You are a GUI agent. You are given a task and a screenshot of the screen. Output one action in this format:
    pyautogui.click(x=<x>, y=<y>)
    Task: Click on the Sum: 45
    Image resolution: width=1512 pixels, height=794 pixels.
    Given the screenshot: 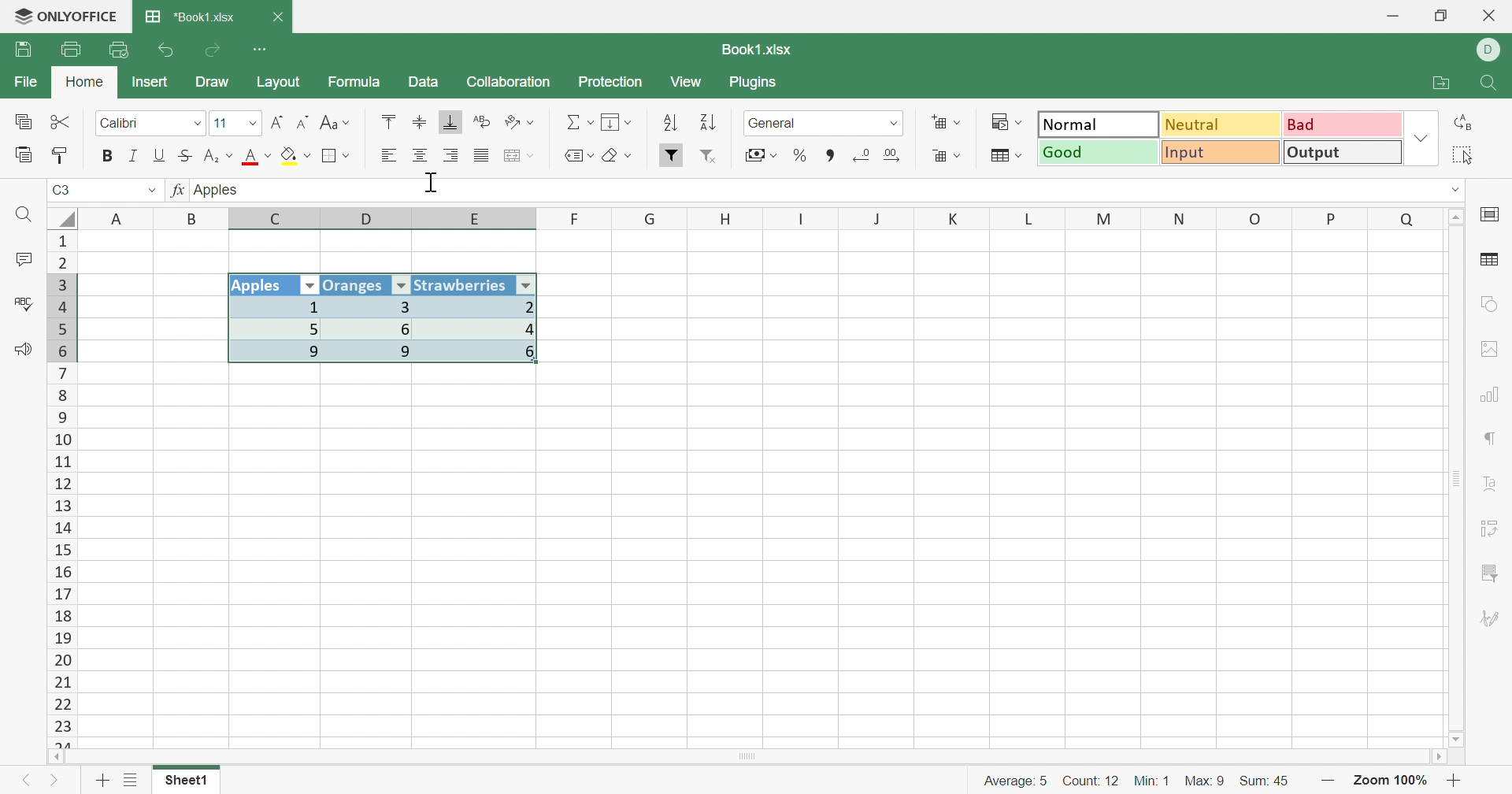 What is the action you would take?
    pyautogui.click(x=1272, y=779)
    